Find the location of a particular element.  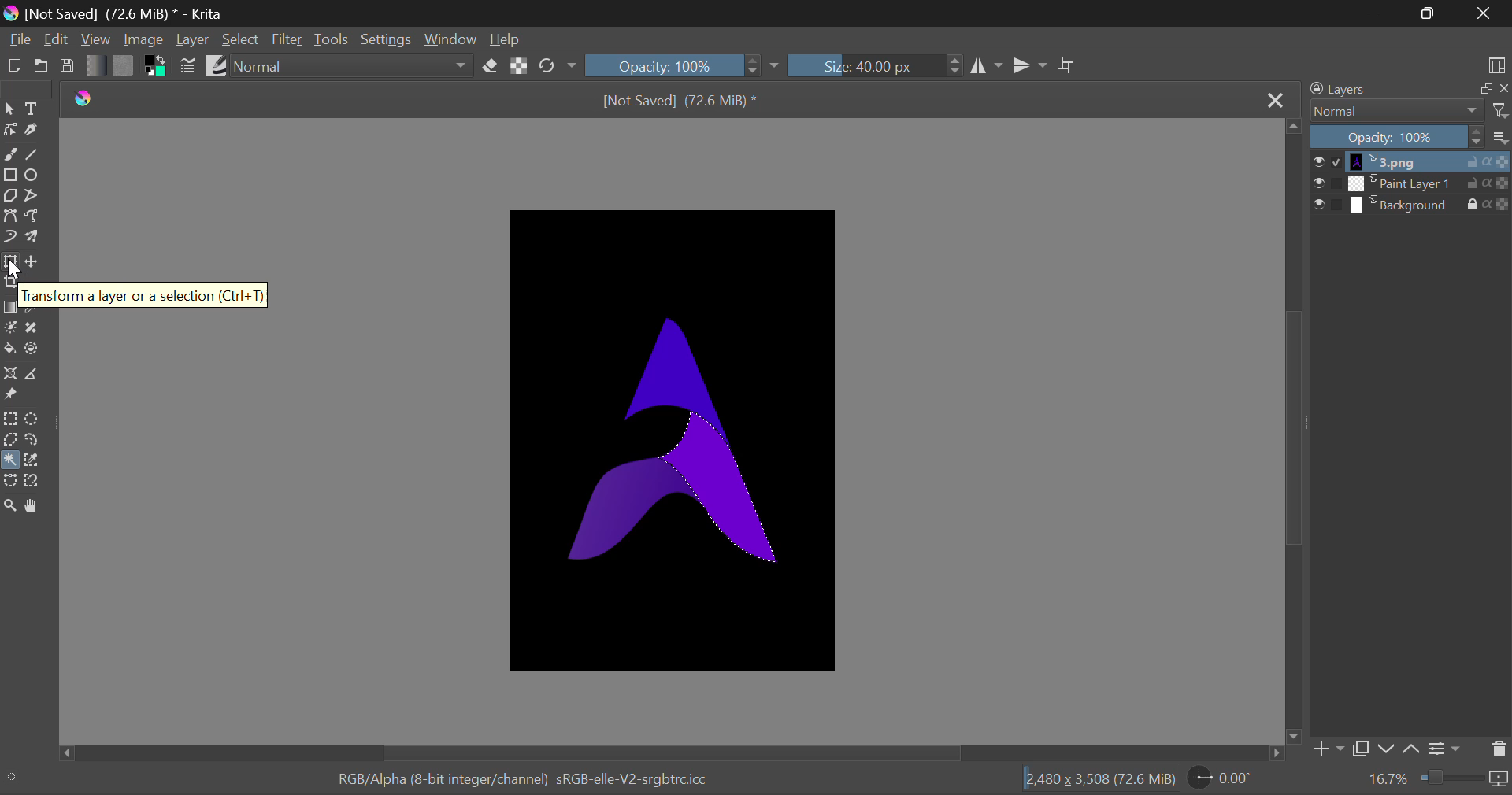

Polygon is located at coordinates (11, 198).